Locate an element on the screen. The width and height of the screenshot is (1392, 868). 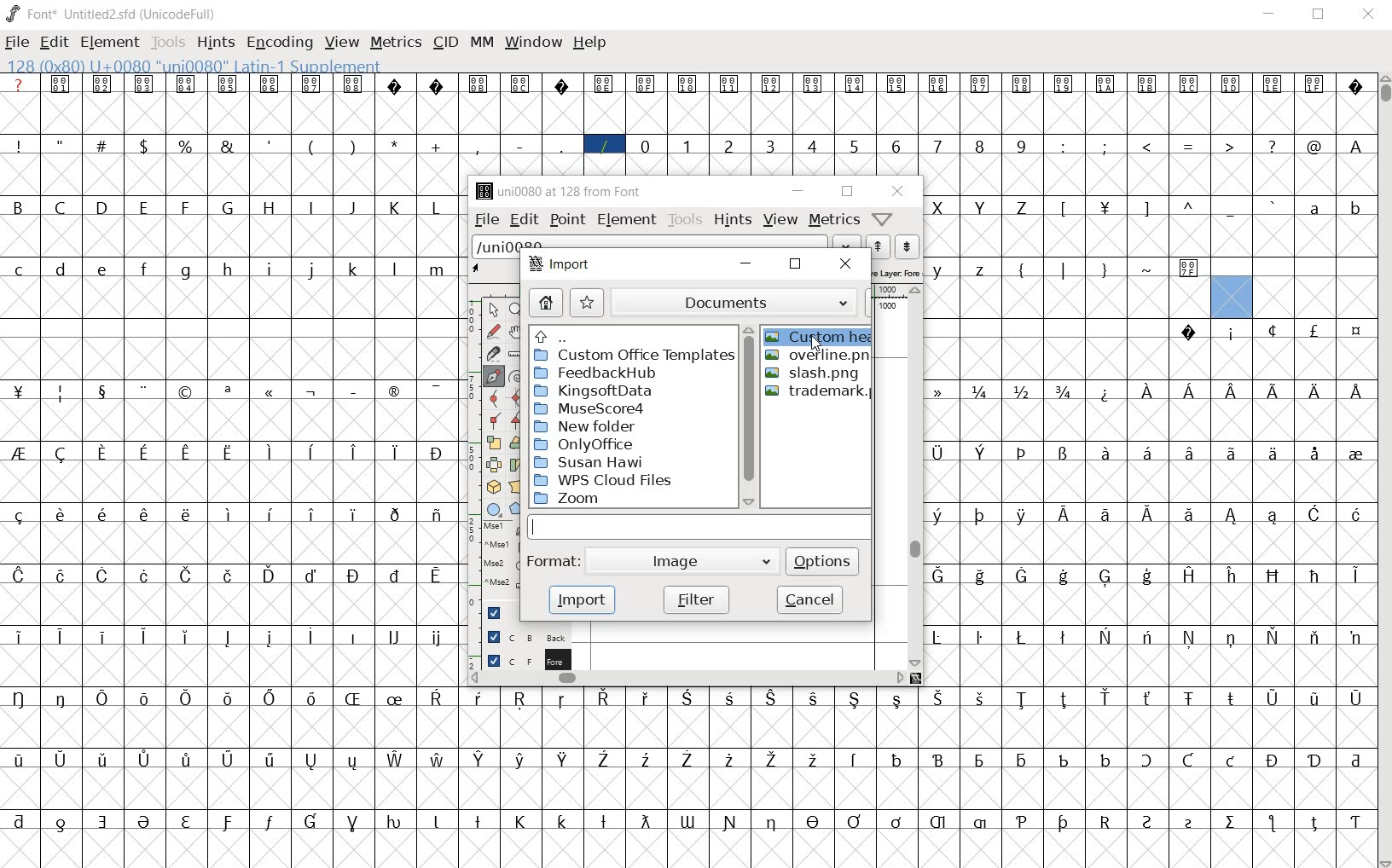
home is located at coordinates (545, 303).